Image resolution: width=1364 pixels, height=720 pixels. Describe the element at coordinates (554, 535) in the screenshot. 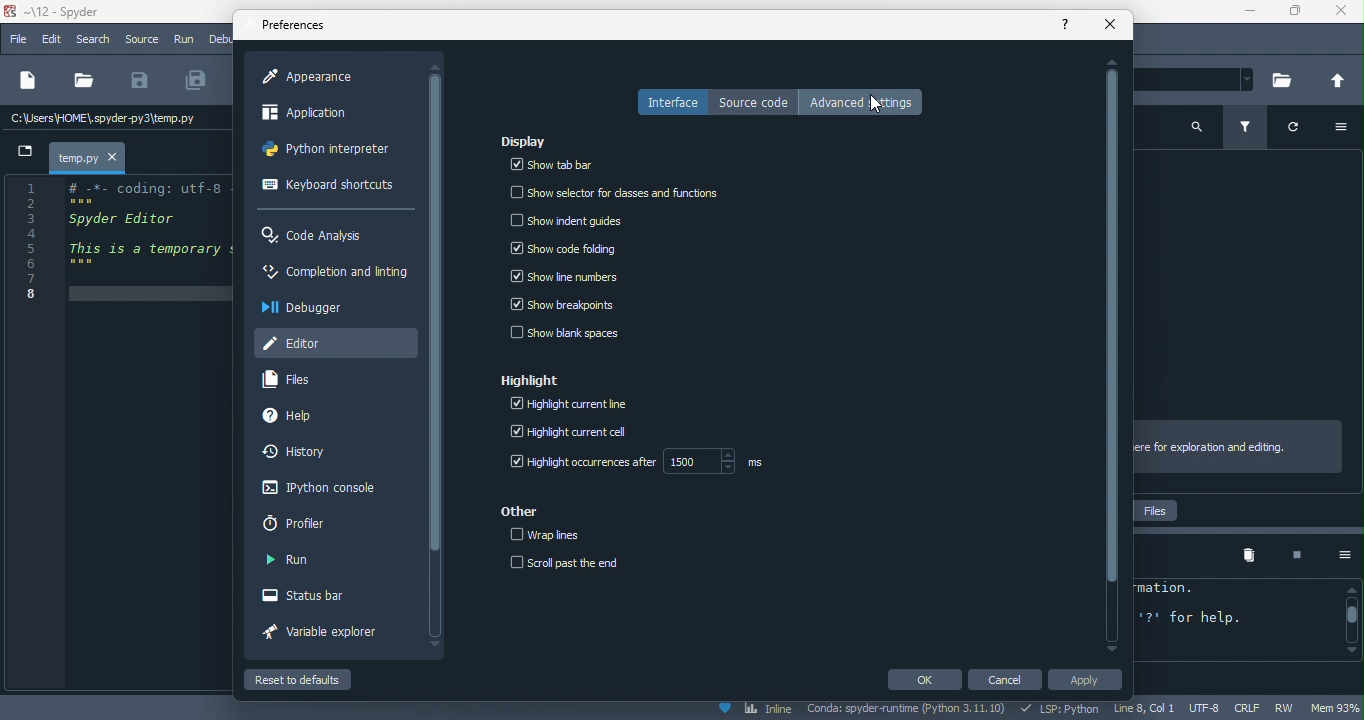

I see `wrap line` at that location.